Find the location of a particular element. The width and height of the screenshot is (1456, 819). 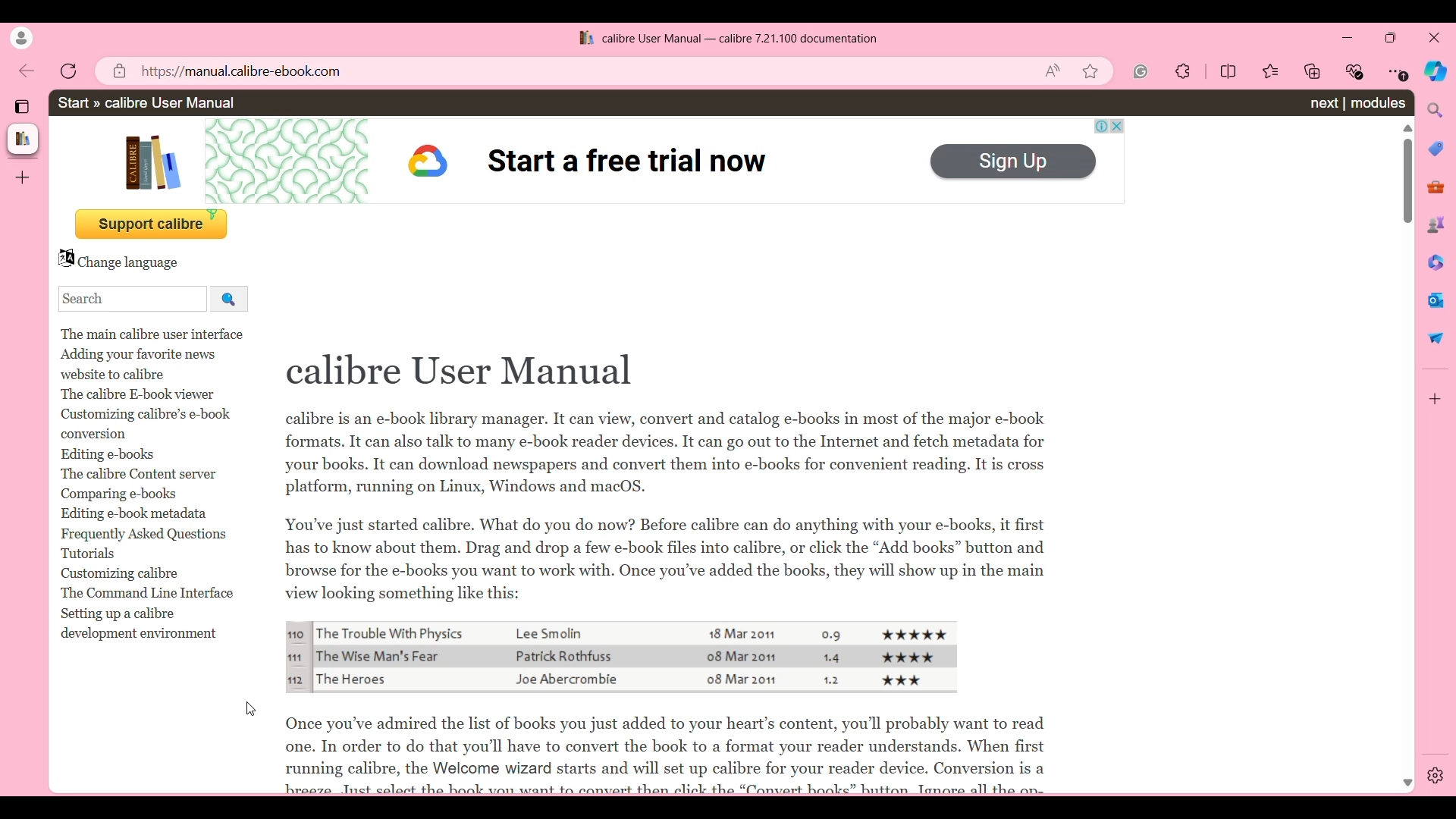

Read aloud this page is located at coordinates (1053, 71).